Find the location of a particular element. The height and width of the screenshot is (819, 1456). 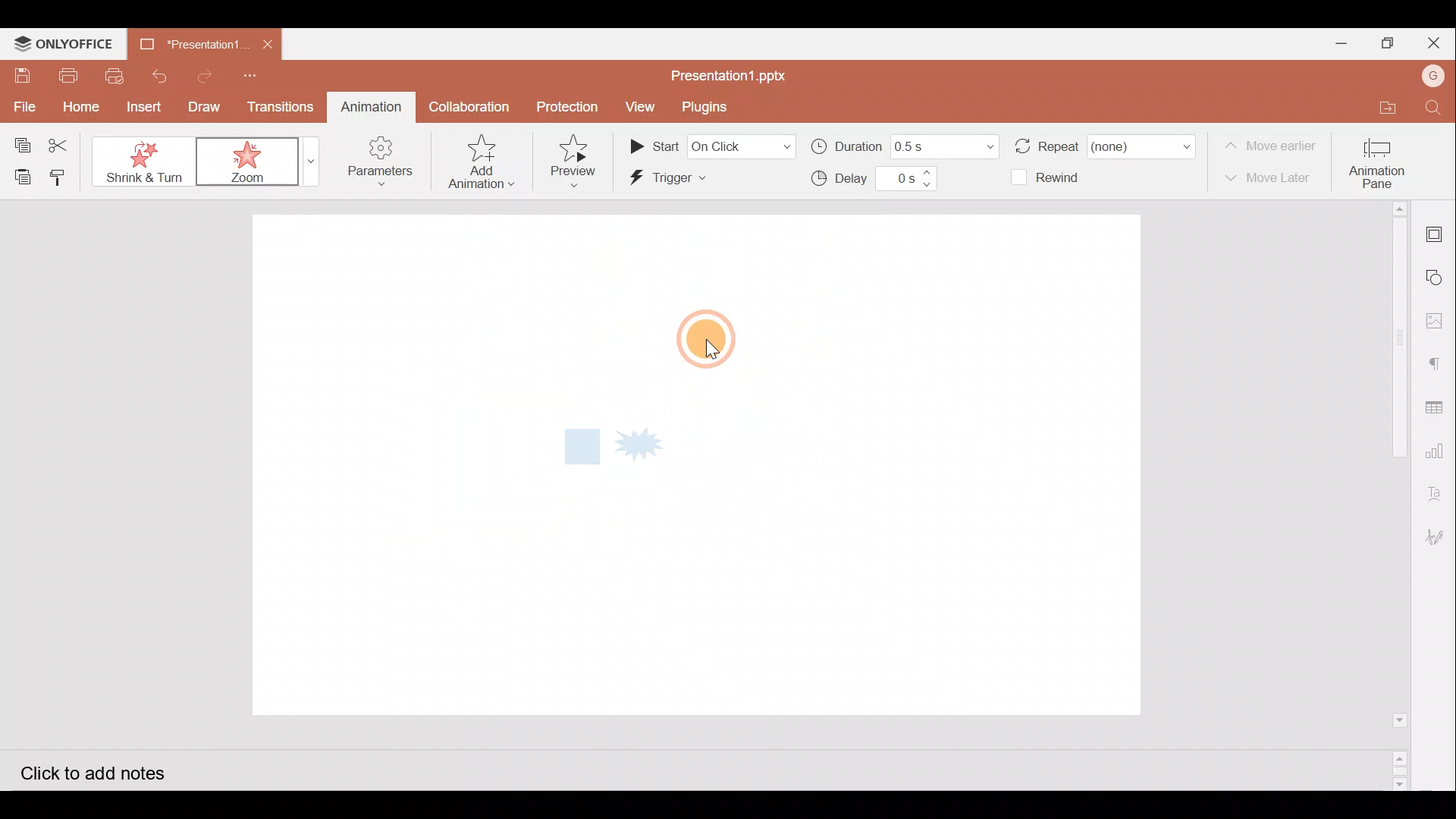

Plugins is located at coordinates (704, 106).